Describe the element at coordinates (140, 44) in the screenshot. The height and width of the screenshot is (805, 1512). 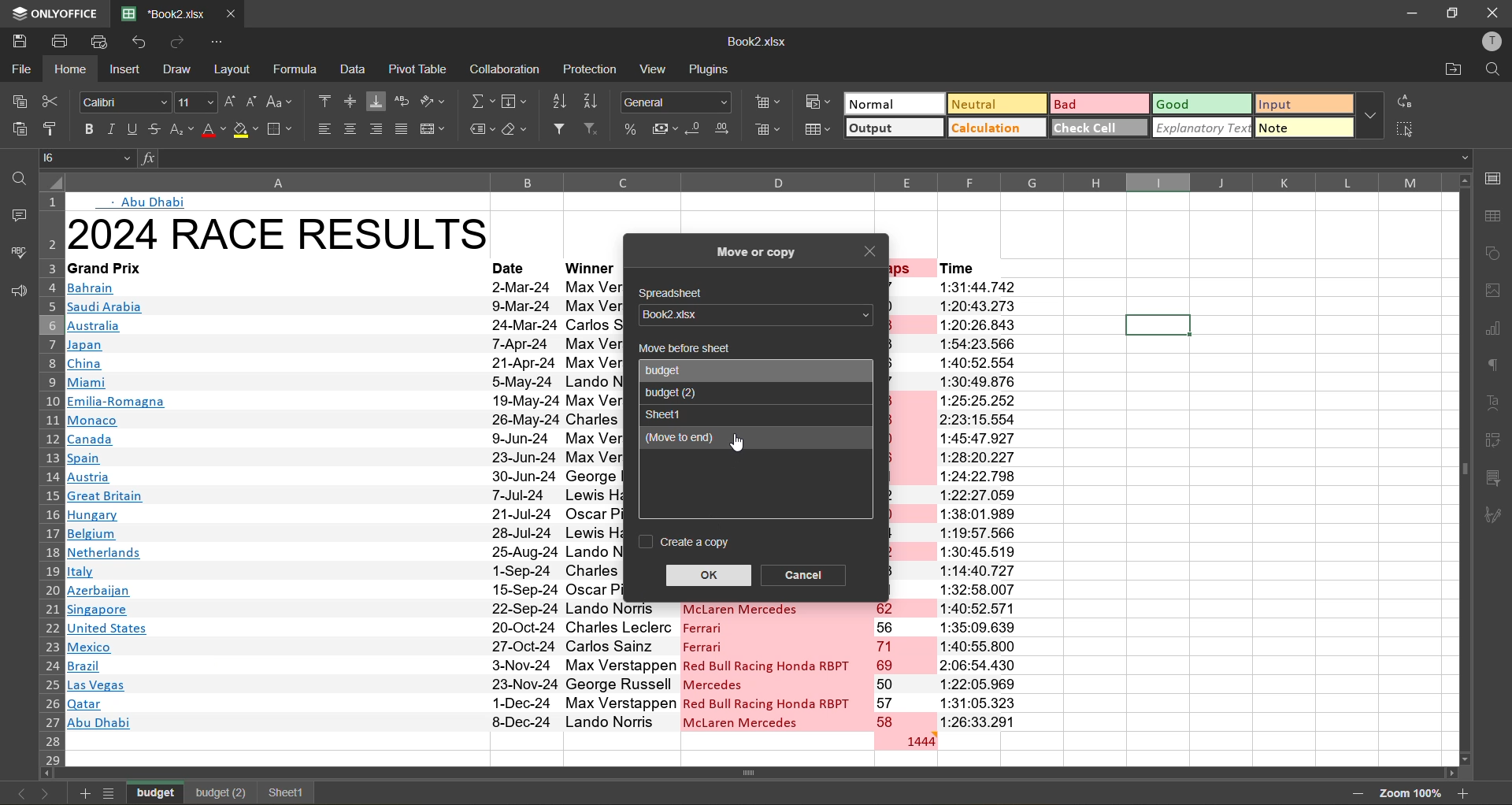
I see `undo` at that location.